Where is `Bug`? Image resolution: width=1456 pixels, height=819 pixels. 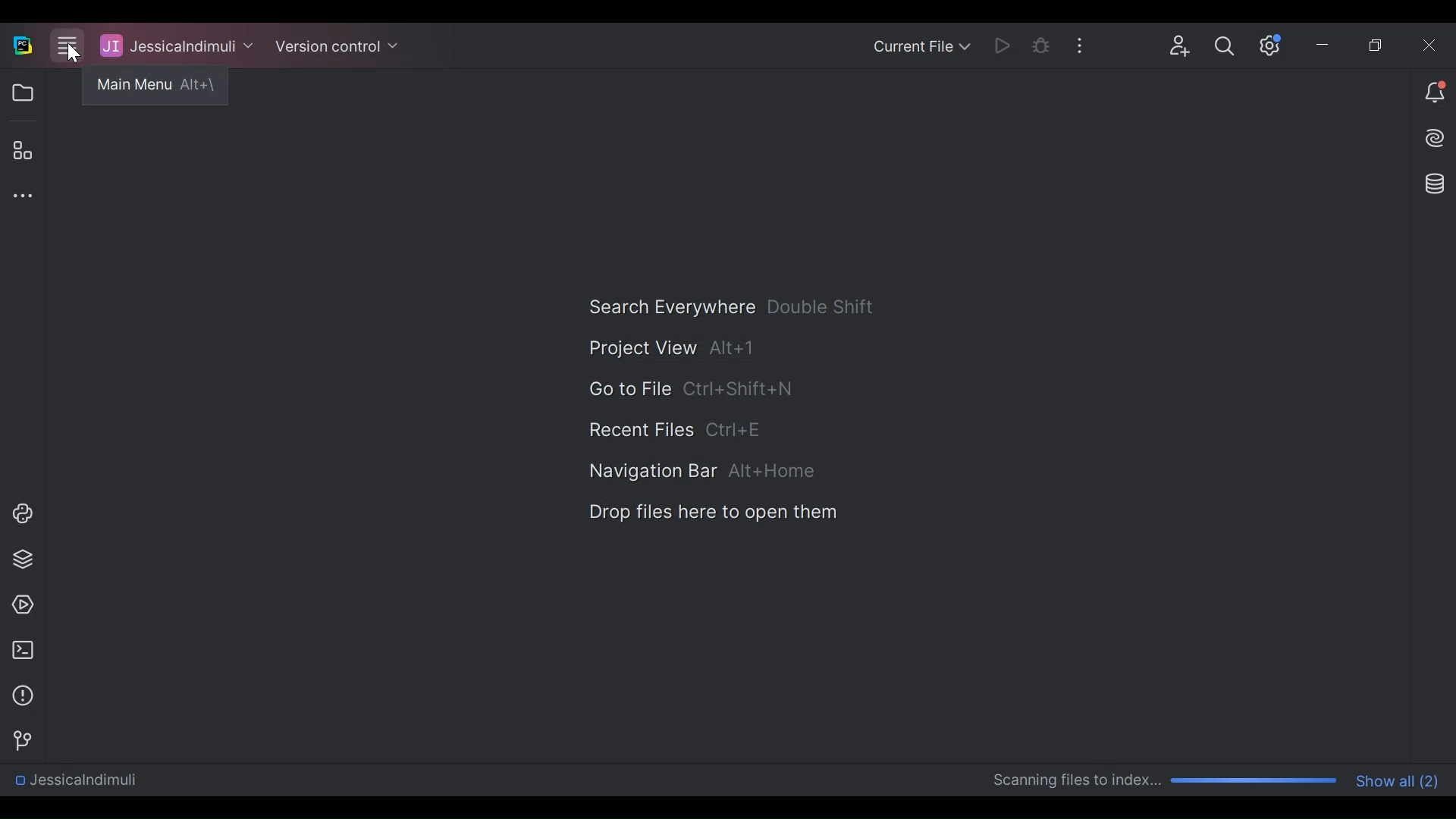 Bug is located at coordinates (1040, 44).